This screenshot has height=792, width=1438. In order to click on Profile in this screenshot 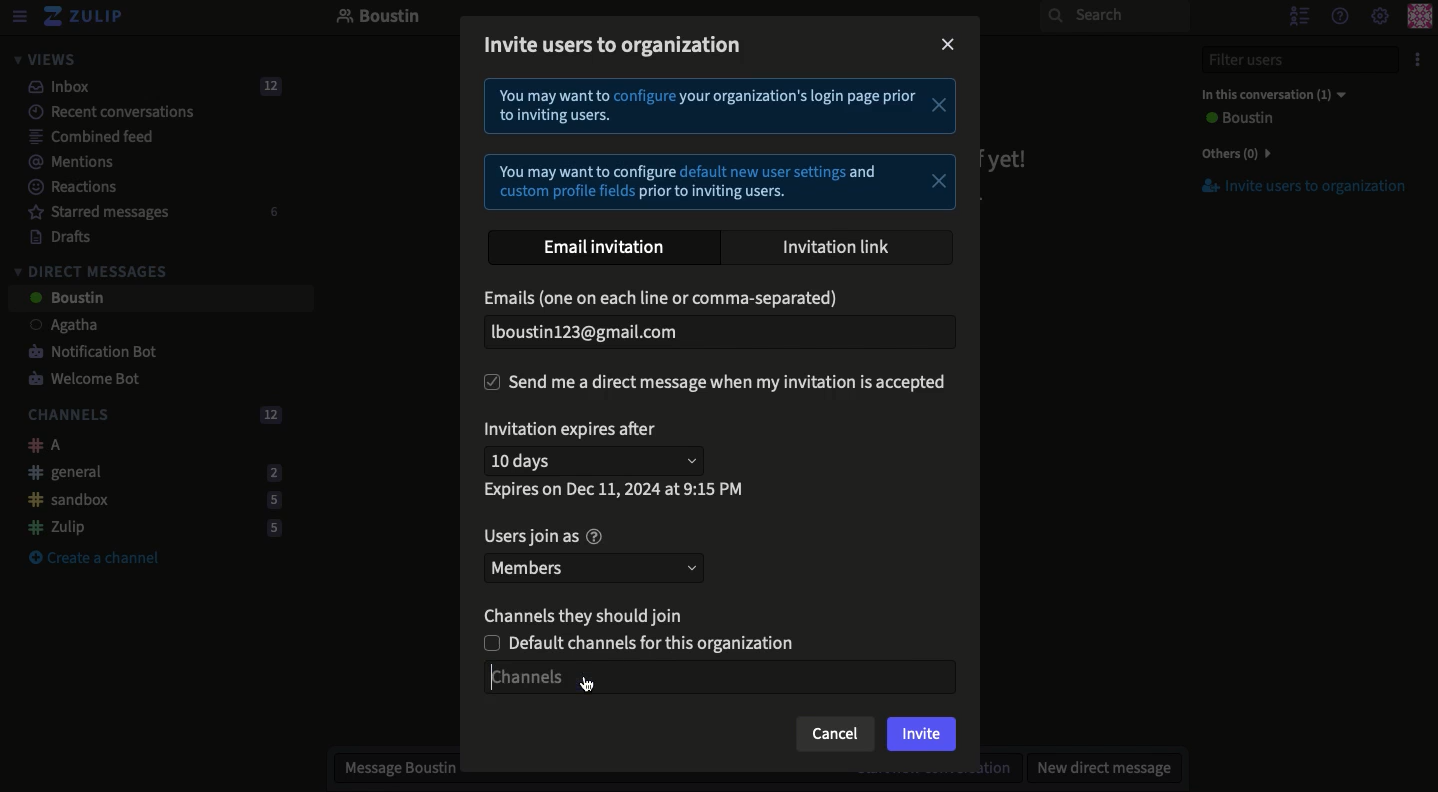, I will do `click(1419, 18)`.